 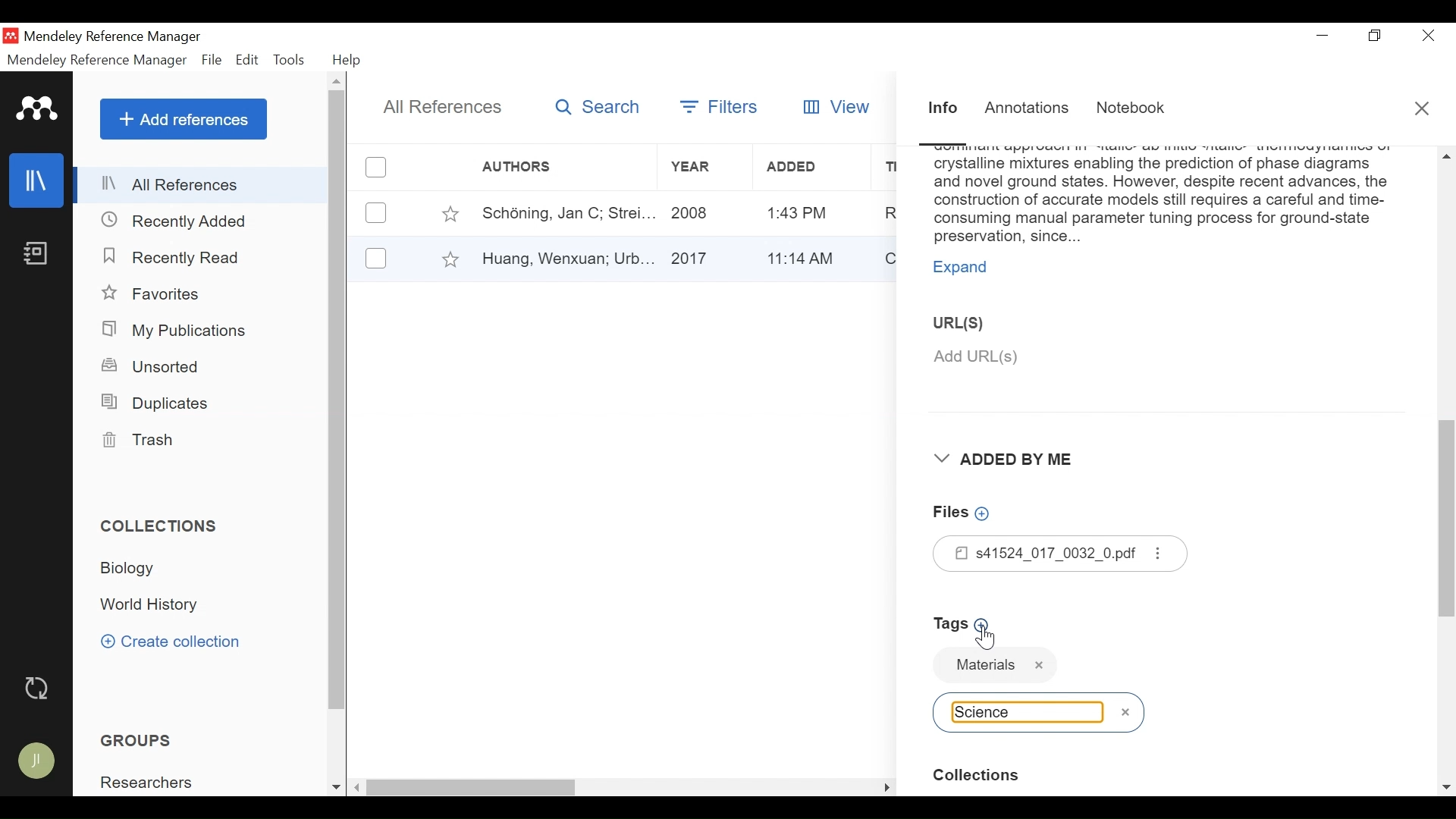 I want to click on (un)select, so click(x=376, y=213).